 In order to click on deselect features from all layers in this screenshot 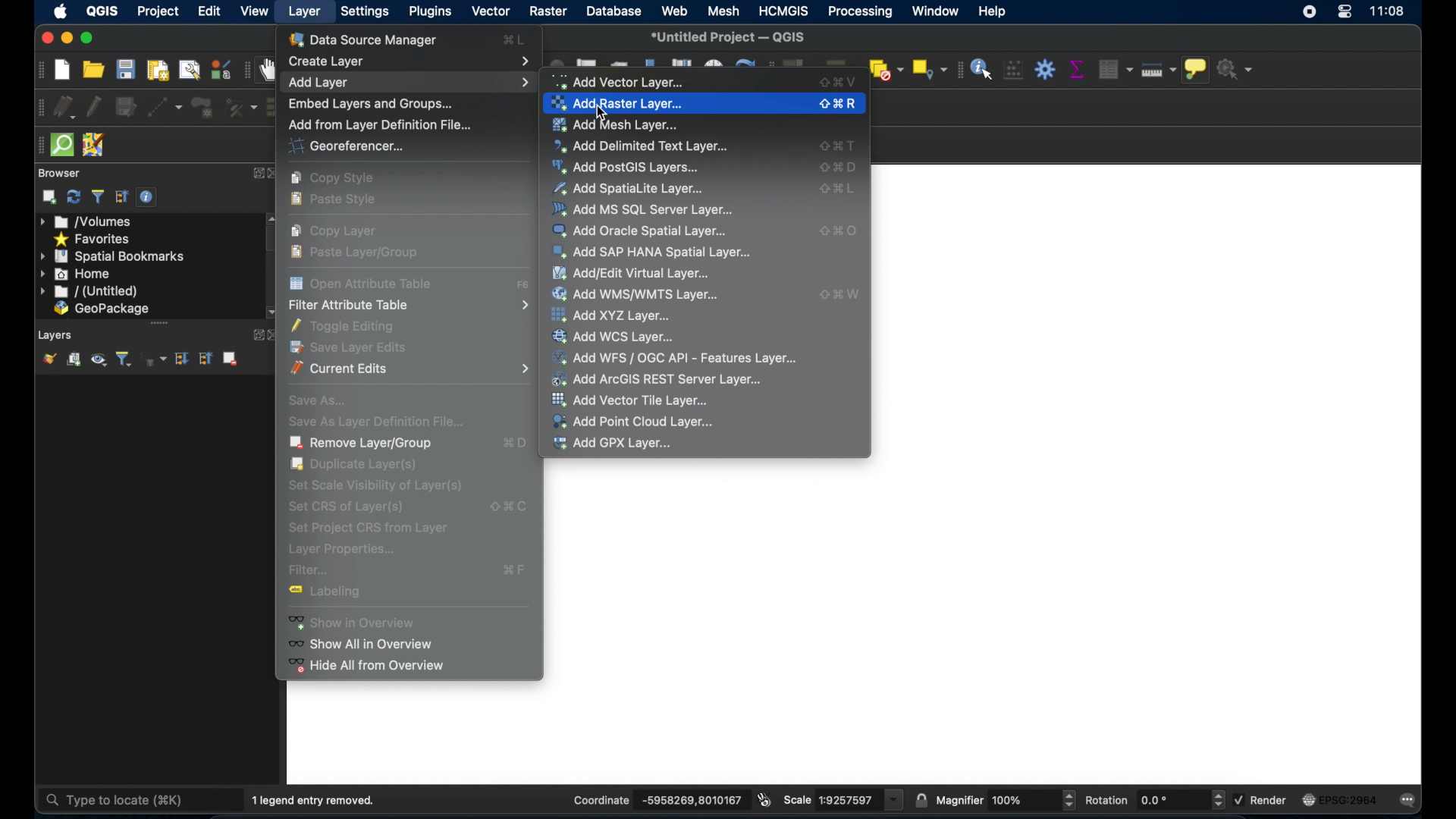, I will do `click(886, 69)`.